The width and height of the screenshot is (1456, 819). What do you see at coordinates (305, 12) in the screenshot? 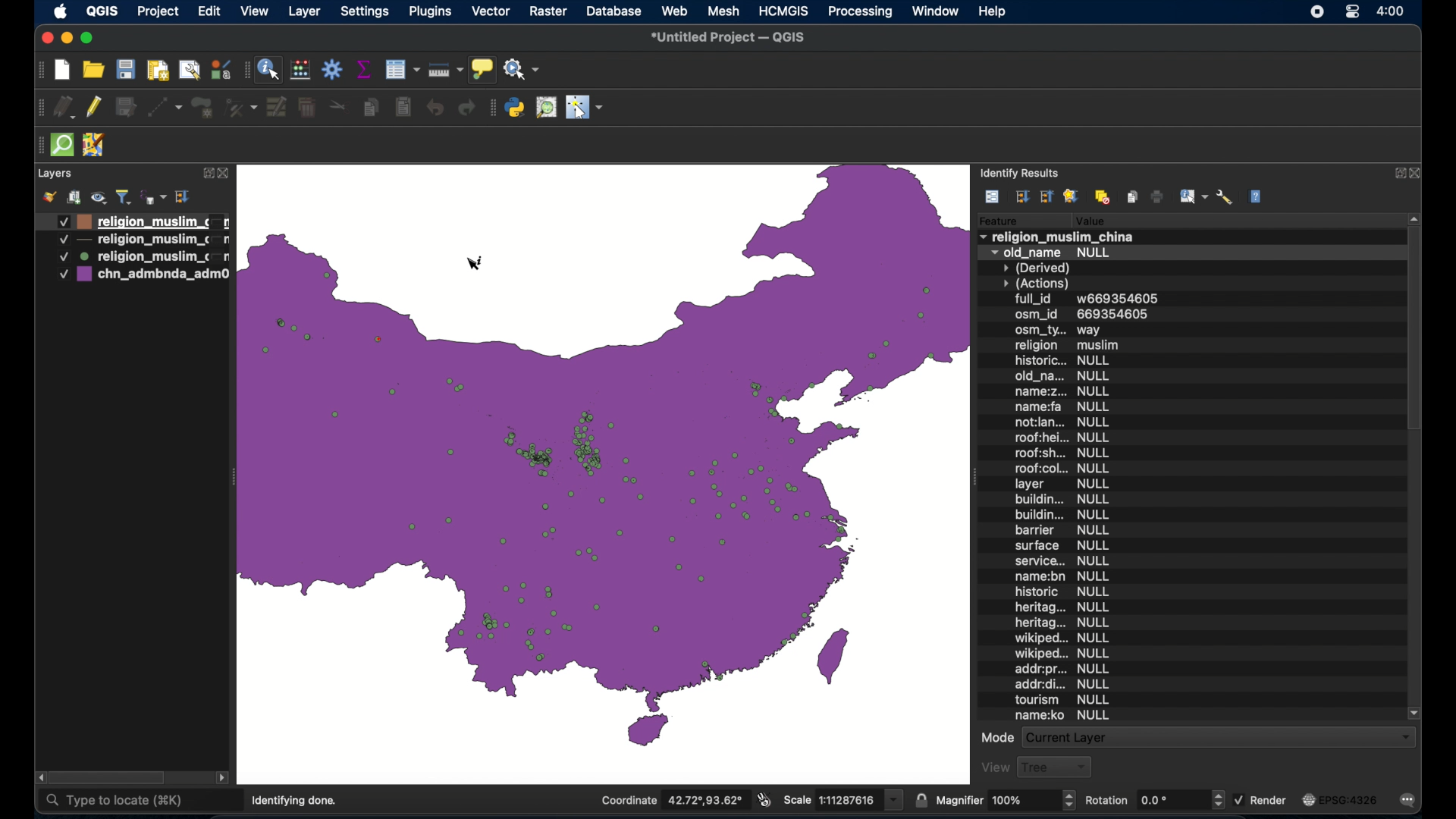
I see `layer` at bounding box center [305, 12].